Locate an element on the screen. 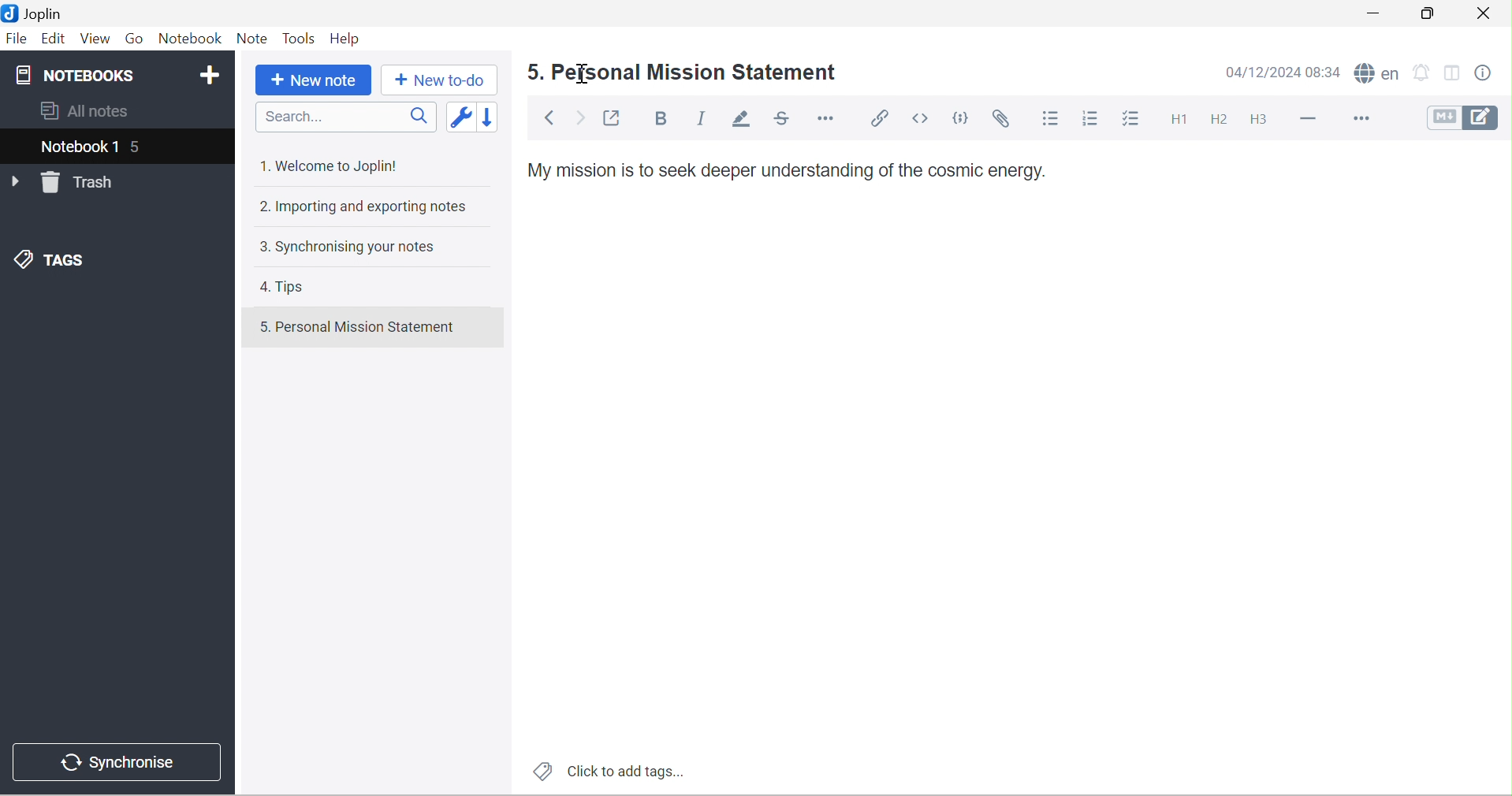 This screenshot has width=1512, height=796. Inline code is located at coordinates (919, 119).